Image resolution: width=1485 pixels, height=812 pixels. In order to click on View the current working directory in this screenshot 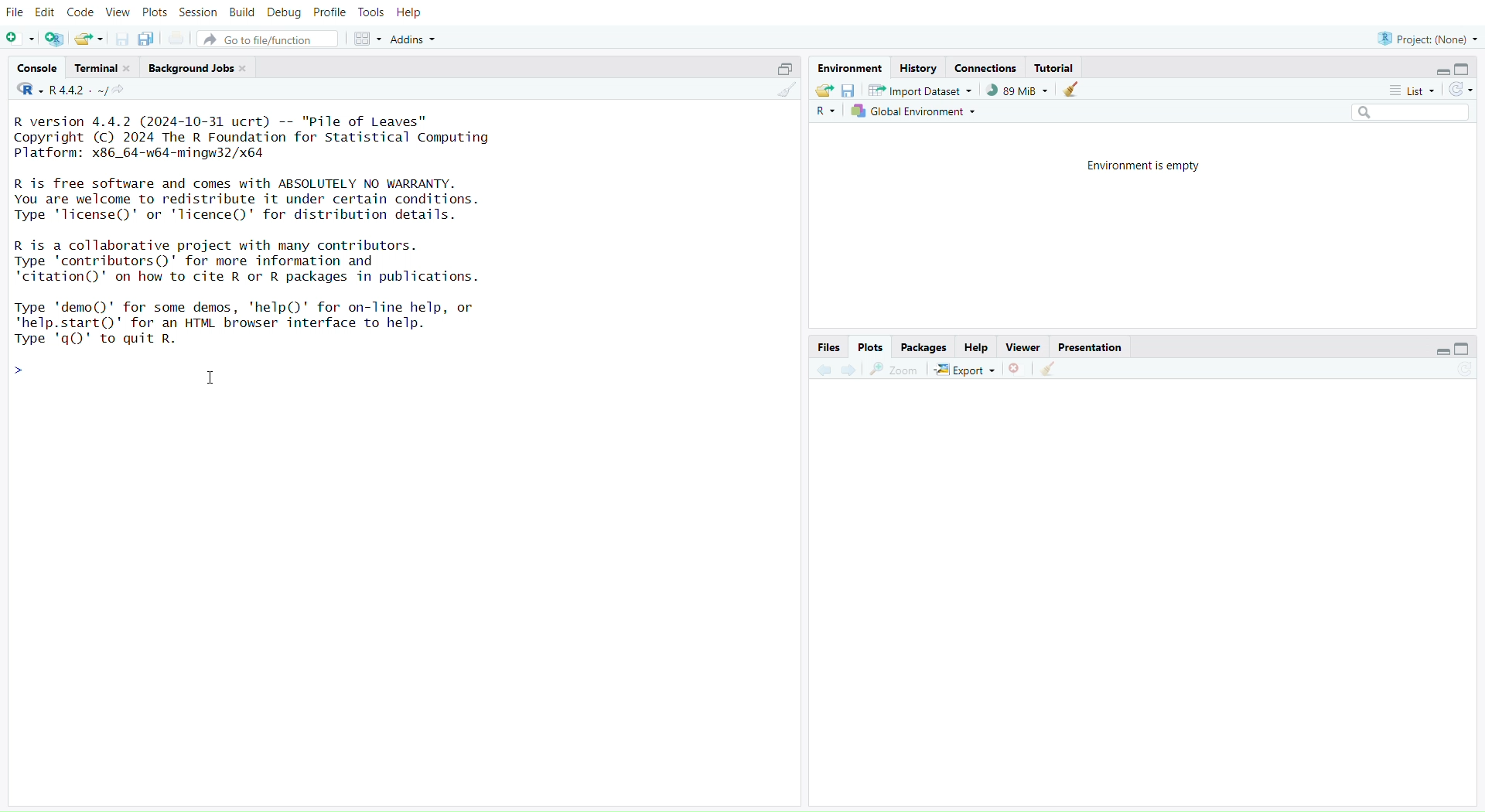, I will do `click(124, 92)`.